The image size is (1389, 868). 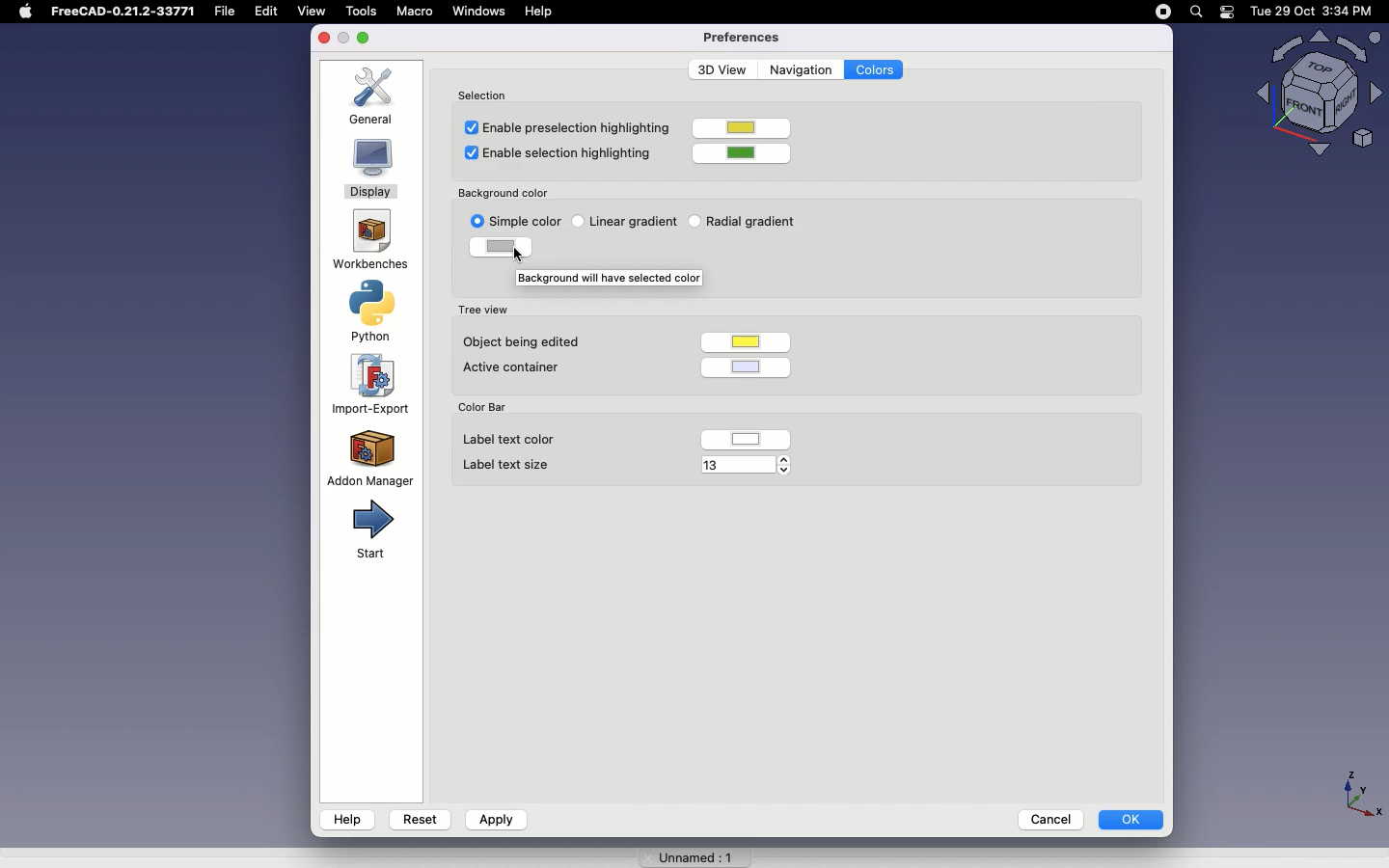 What do you see at coordinates (752, 366) in the screenshot?
I see `color` at bounding box center [752, 366].